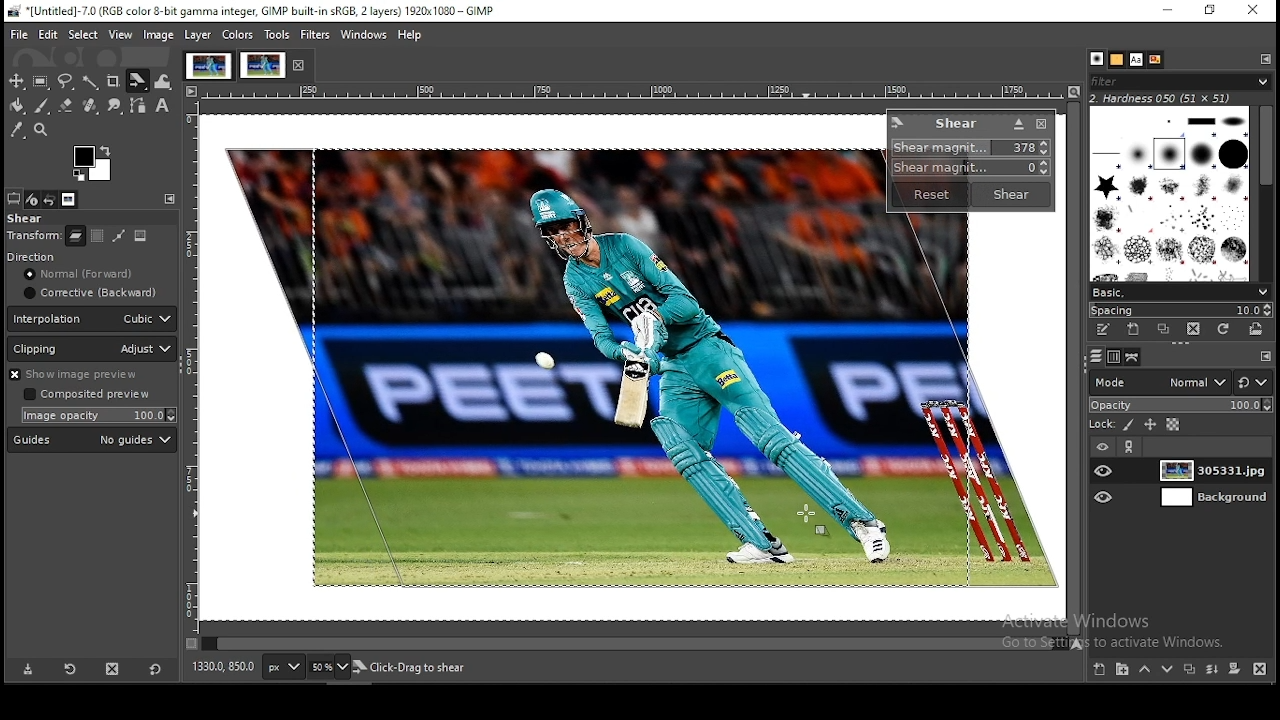 The height and width of the screenshot is (720, 1280). I want to click on help, so click(411, 35).